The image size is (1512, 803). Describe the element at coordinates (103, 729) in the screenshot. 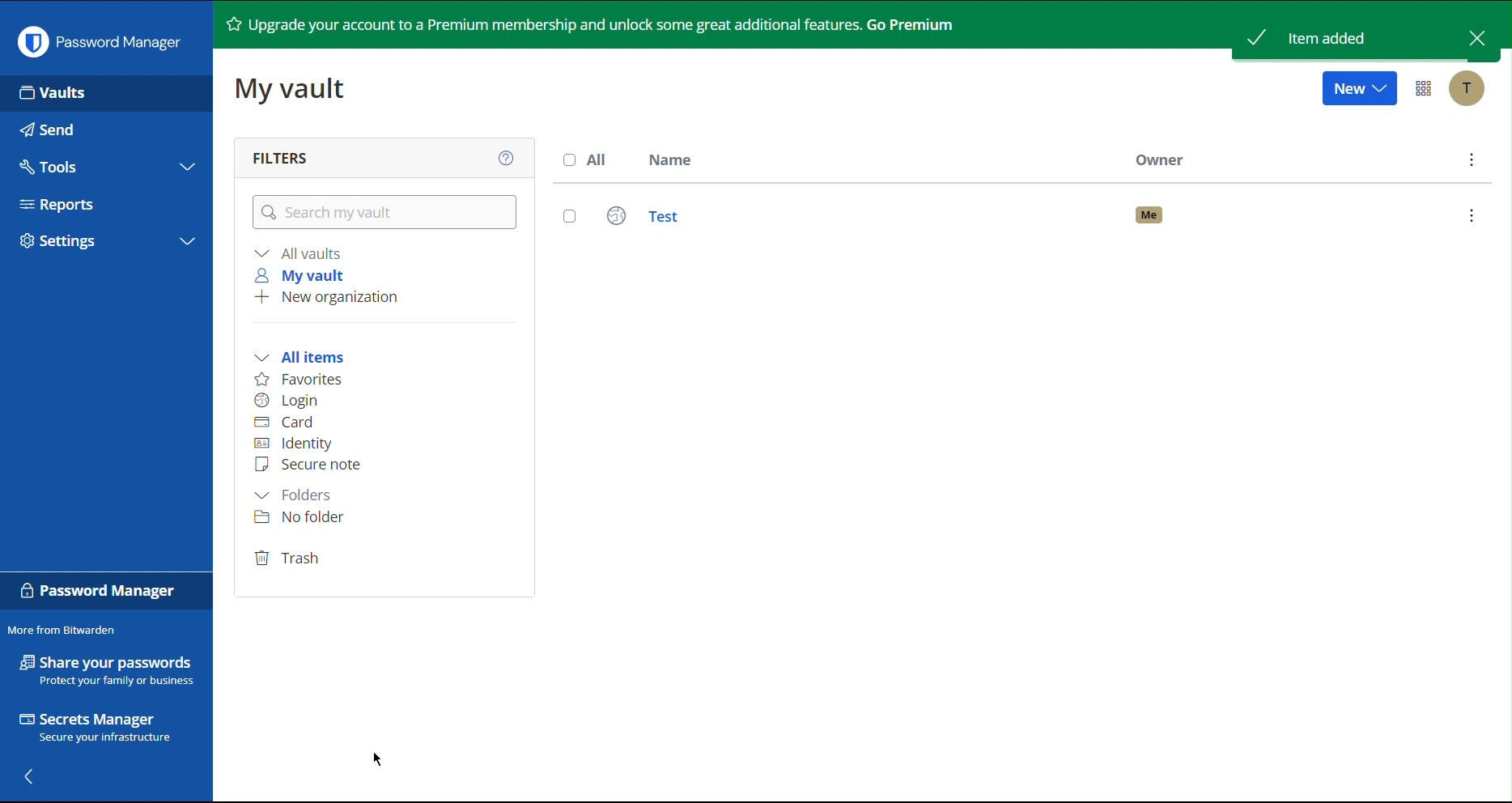

I see `Secrets Manager` at that location.